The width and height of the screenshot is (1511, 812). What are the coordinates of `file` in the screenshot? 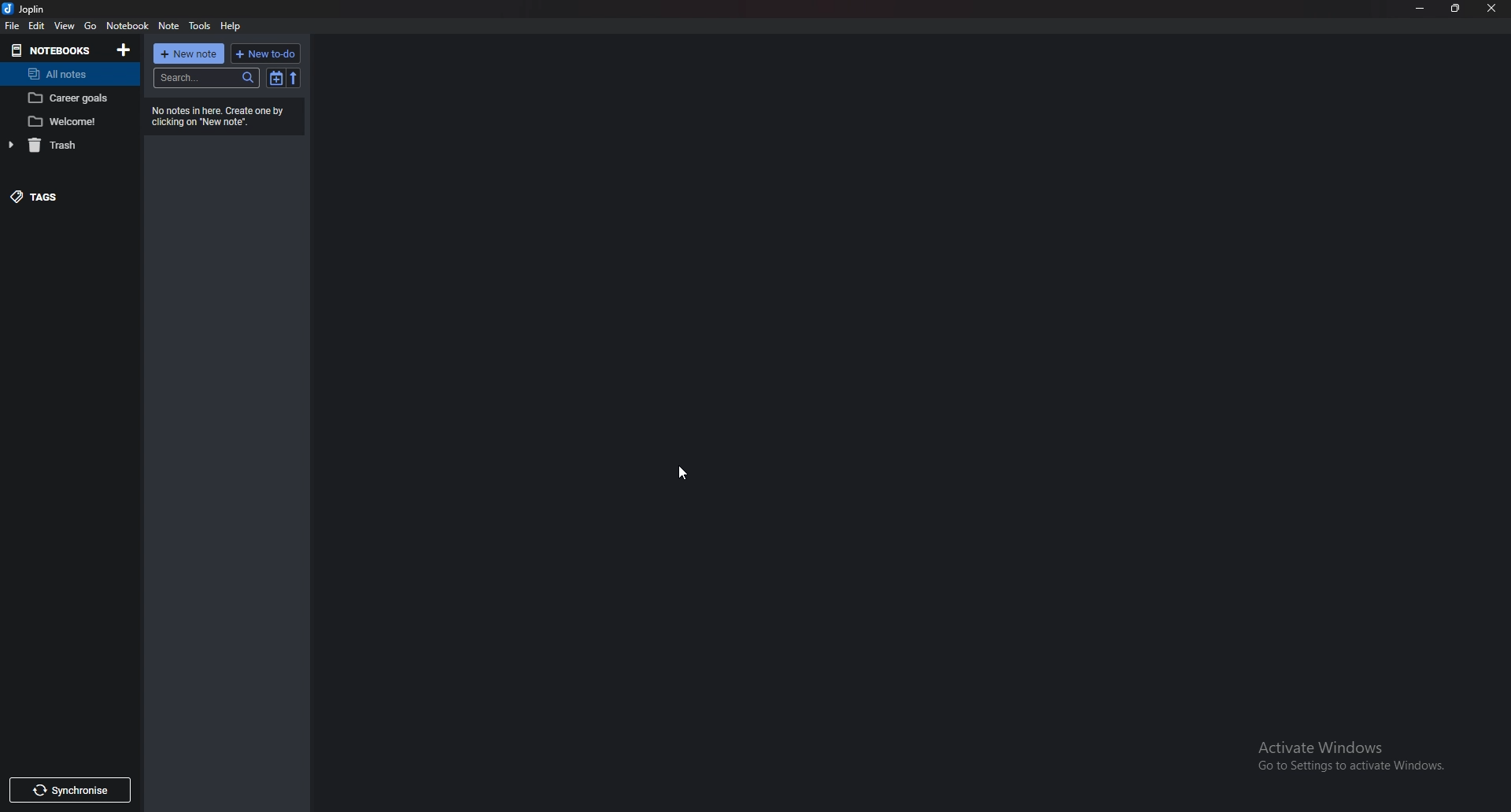 It's located at (12, 26).